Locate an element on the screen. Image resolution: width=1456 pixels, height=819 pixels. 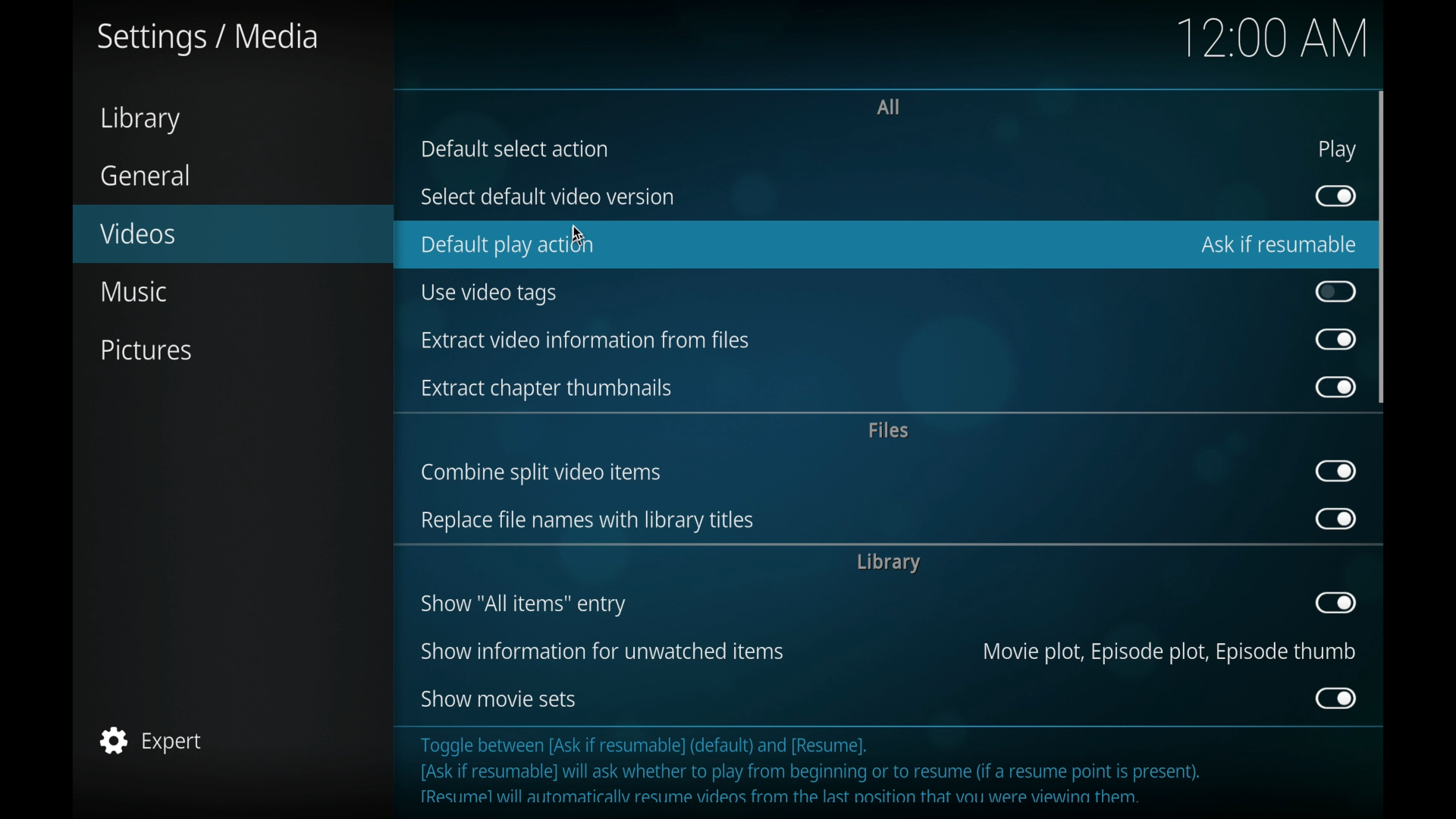
toggle button is located at coordinates (1337, 291).